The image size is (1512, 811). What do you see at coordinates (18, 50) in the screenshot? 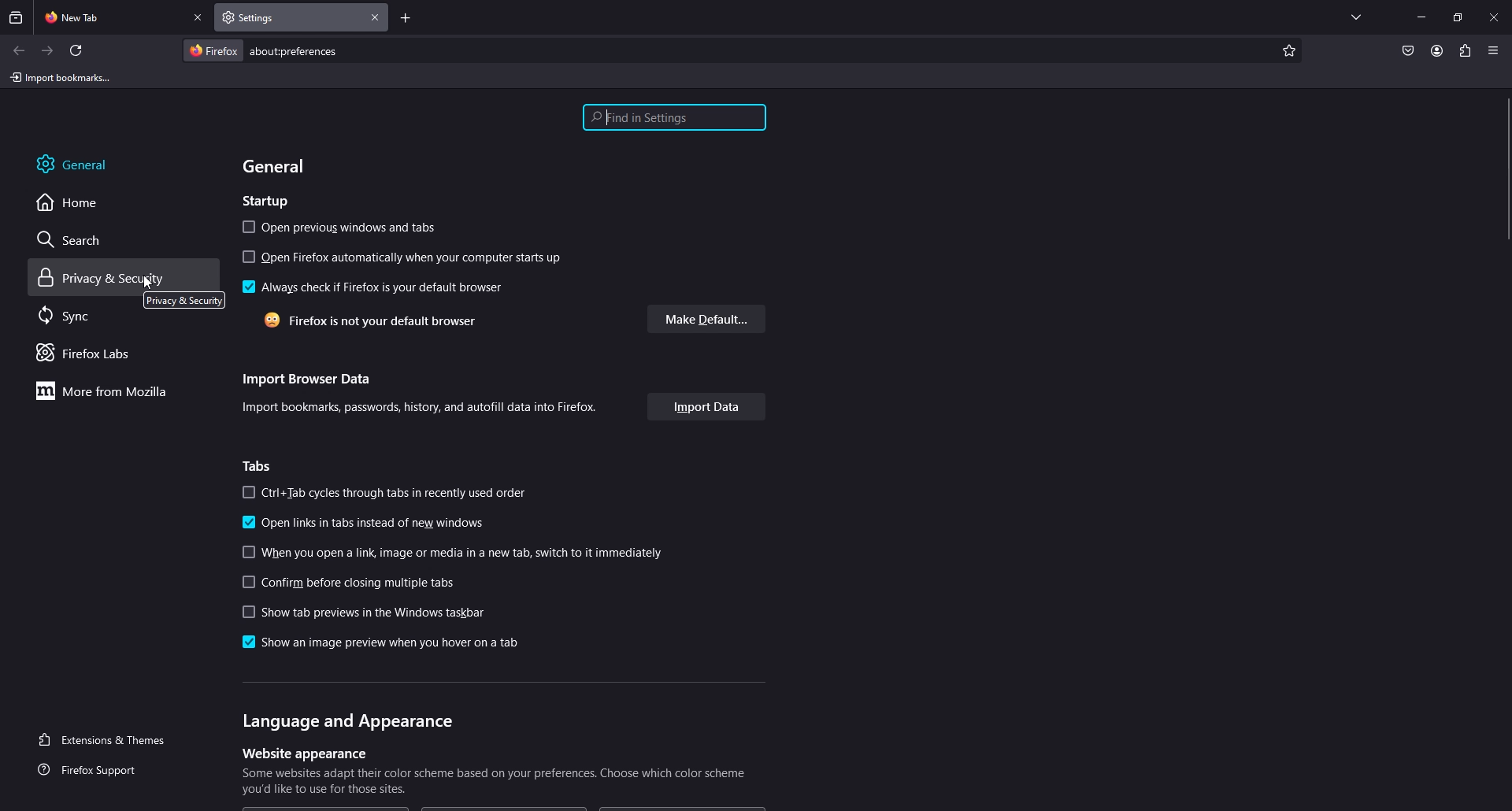
I see `back` at bounding box center [18, 50].